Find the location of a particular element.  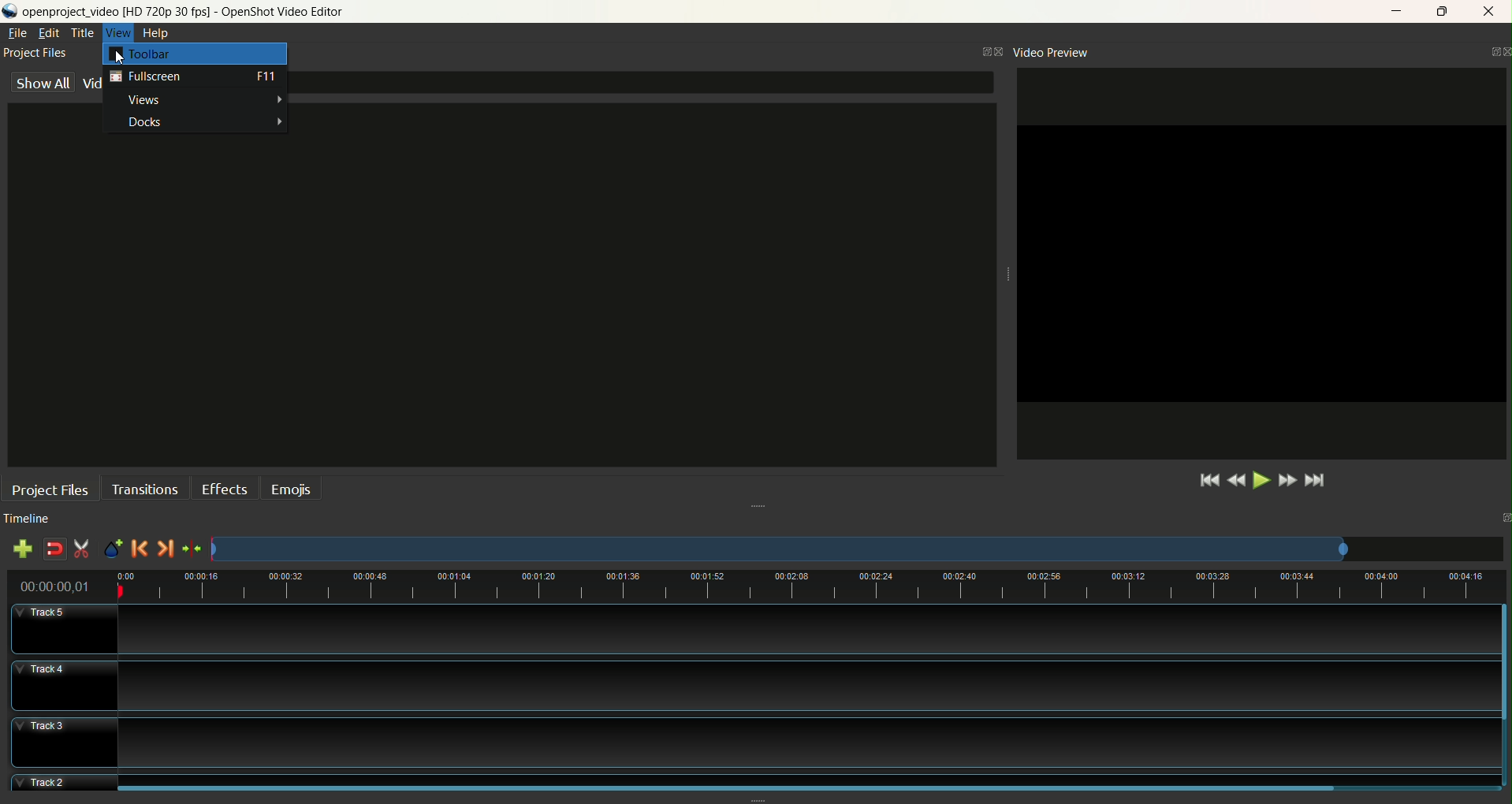

minimize is located at coordinates (1391, 11).